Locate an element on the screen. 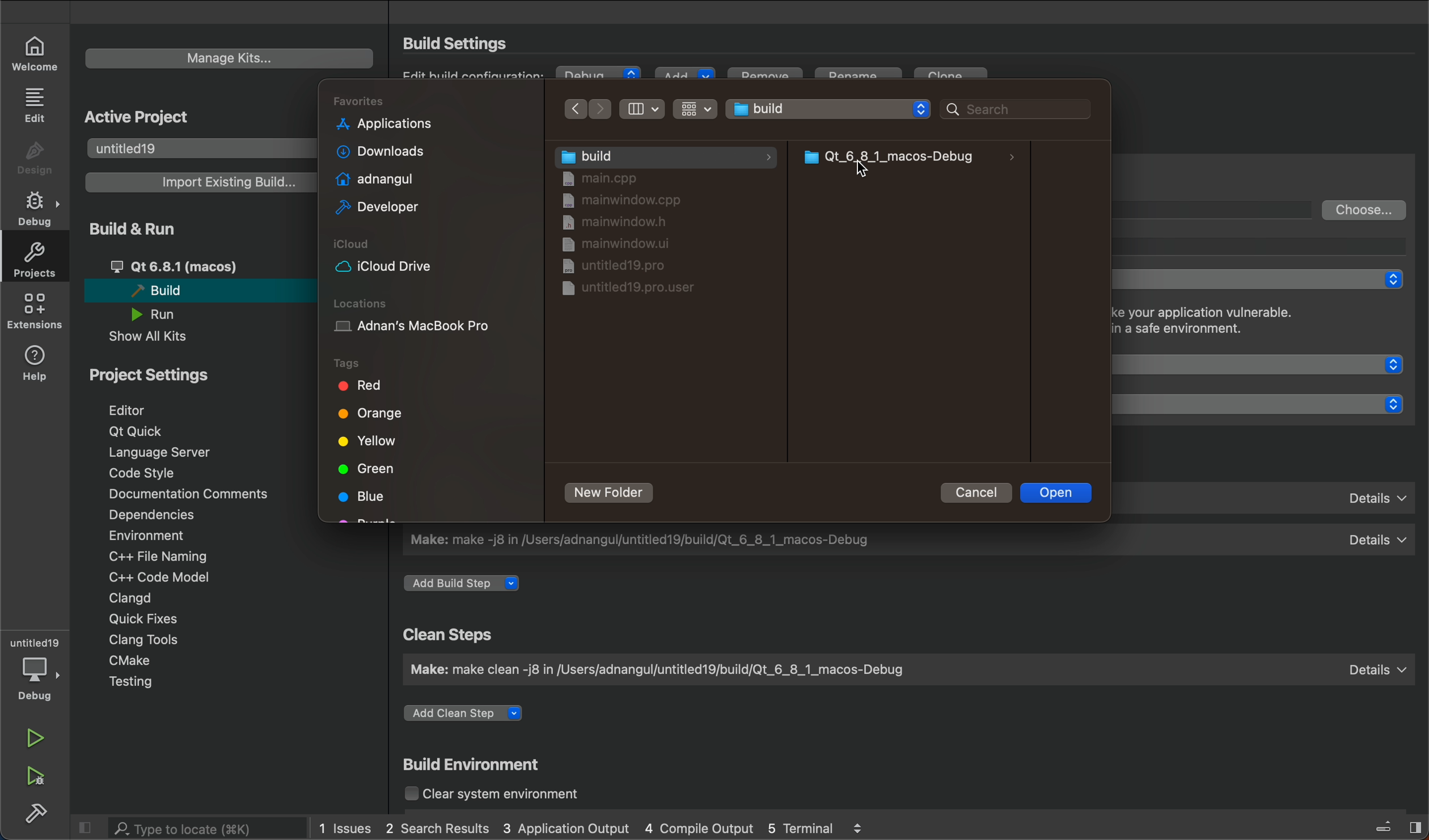  close side bar is located at coordinates (86, 826).